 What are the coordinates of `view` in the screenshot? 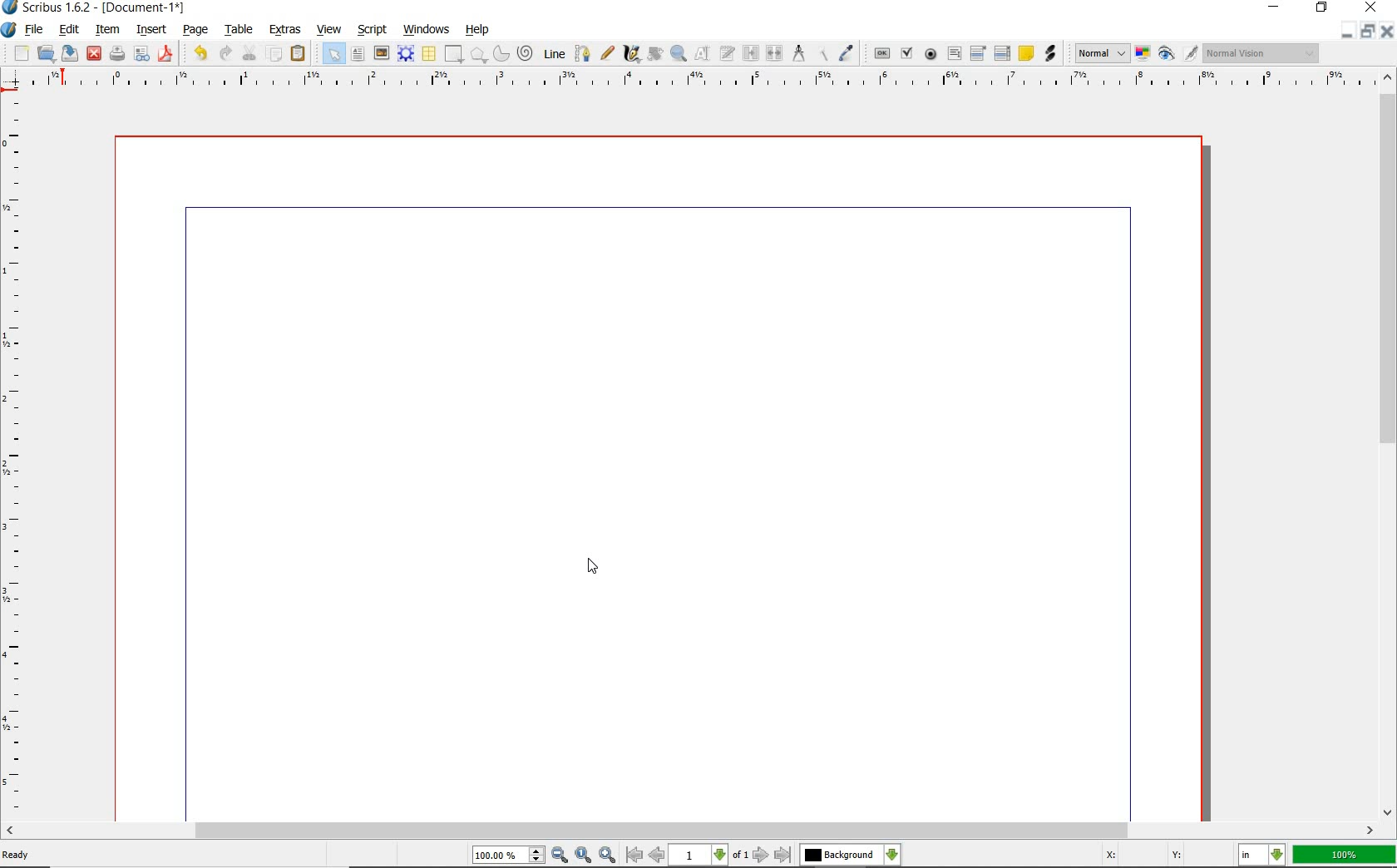 It's located at (330, 28).